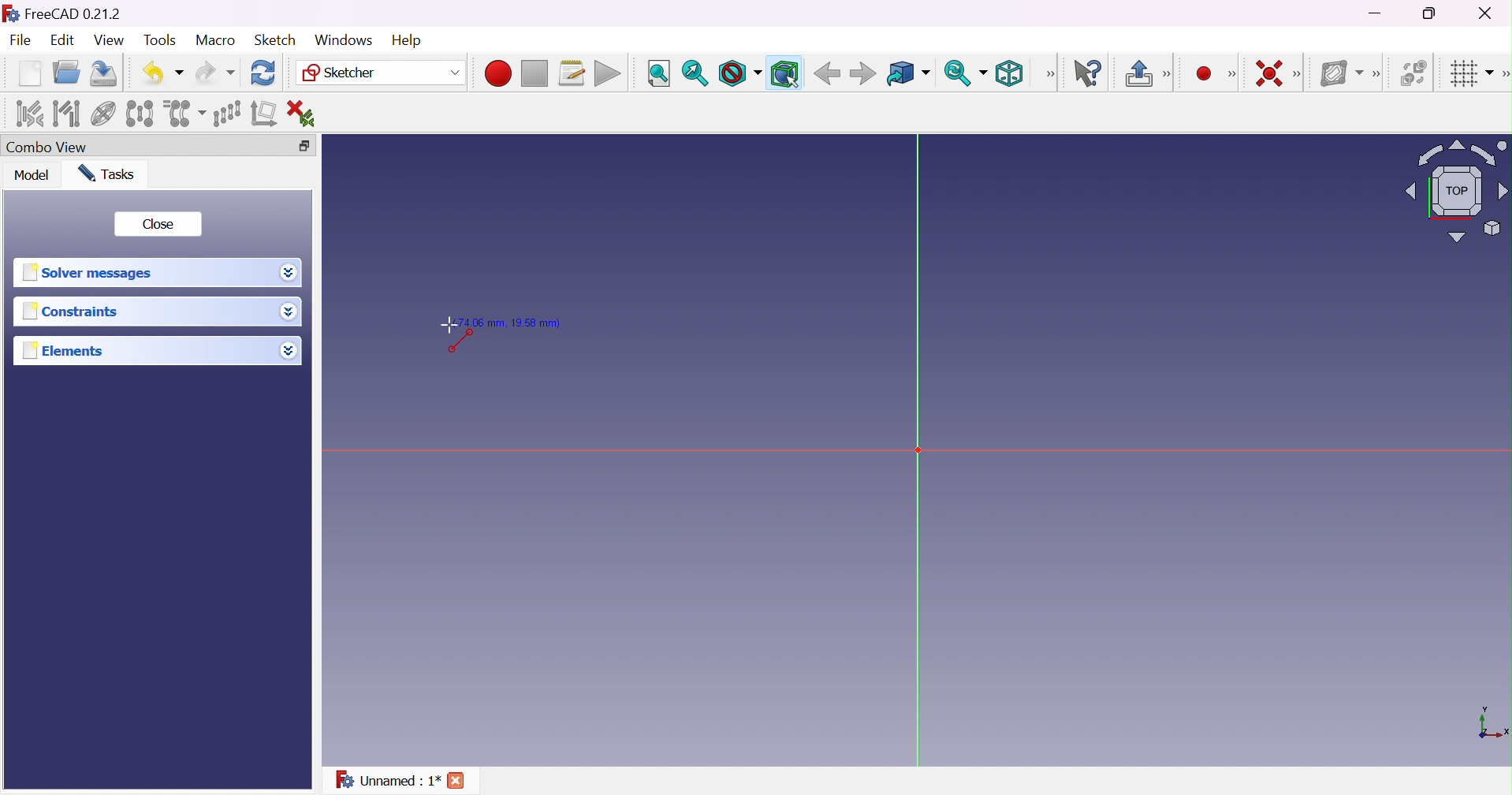 The height and width of the screenshot is (795, 1512). Describe the element at coordinates (342, 39) in the screenshot. I see `Windows` at that location.